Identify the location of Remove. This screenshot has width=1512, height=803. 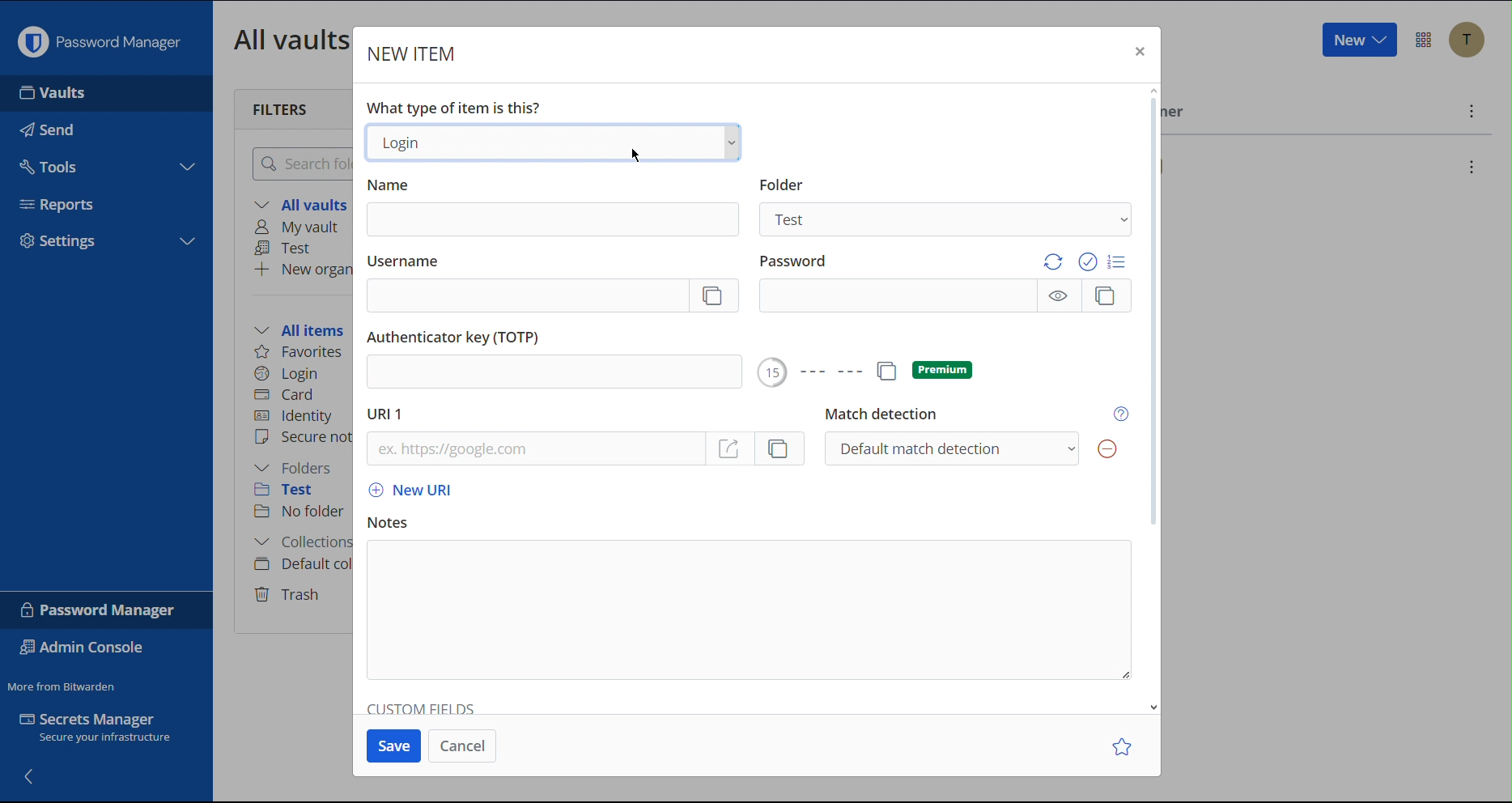
(1106, 449).